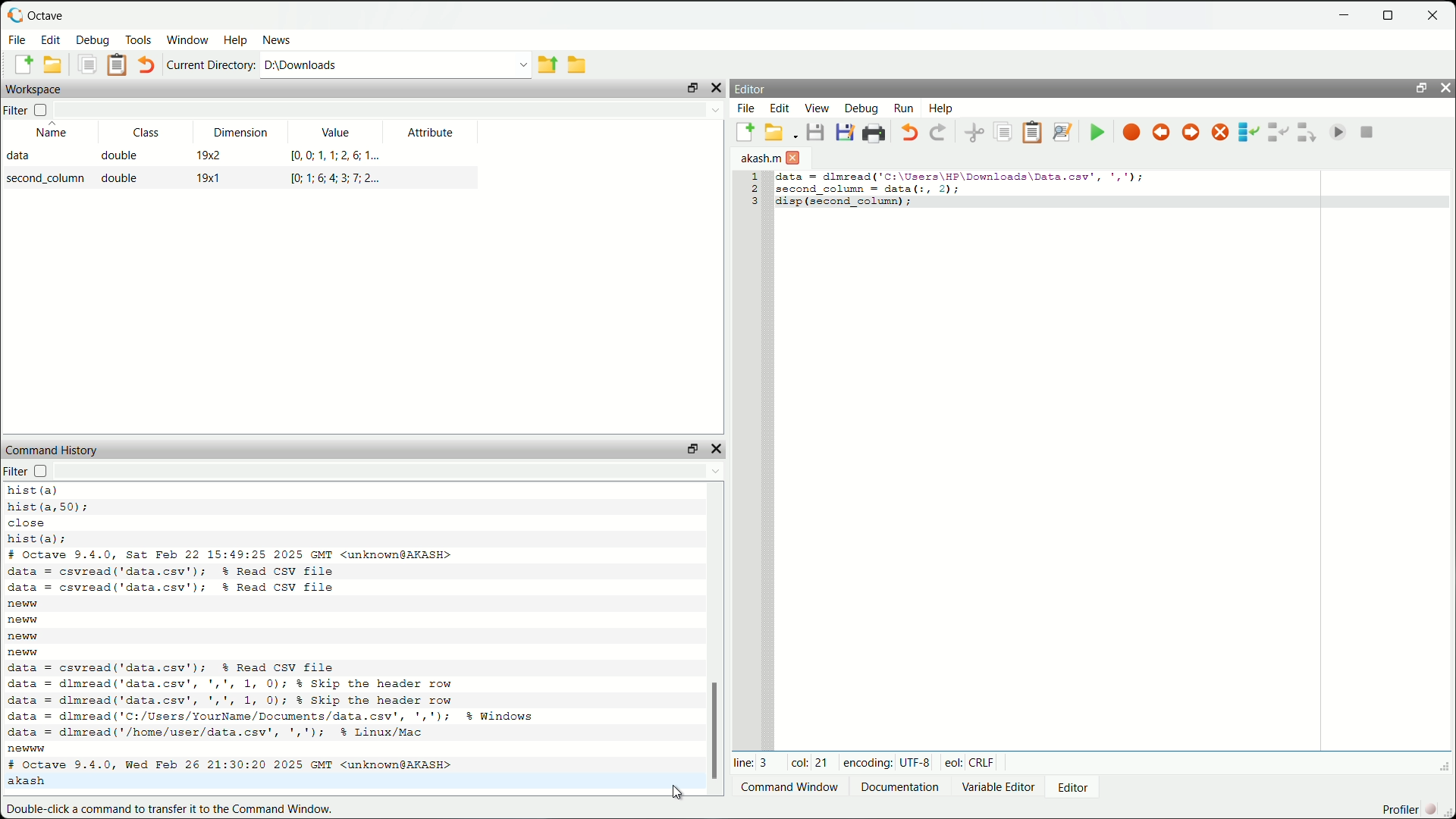 This screenshot has width=1456, height=819. I want to click on previous breakpoint, so click(1159, 134).